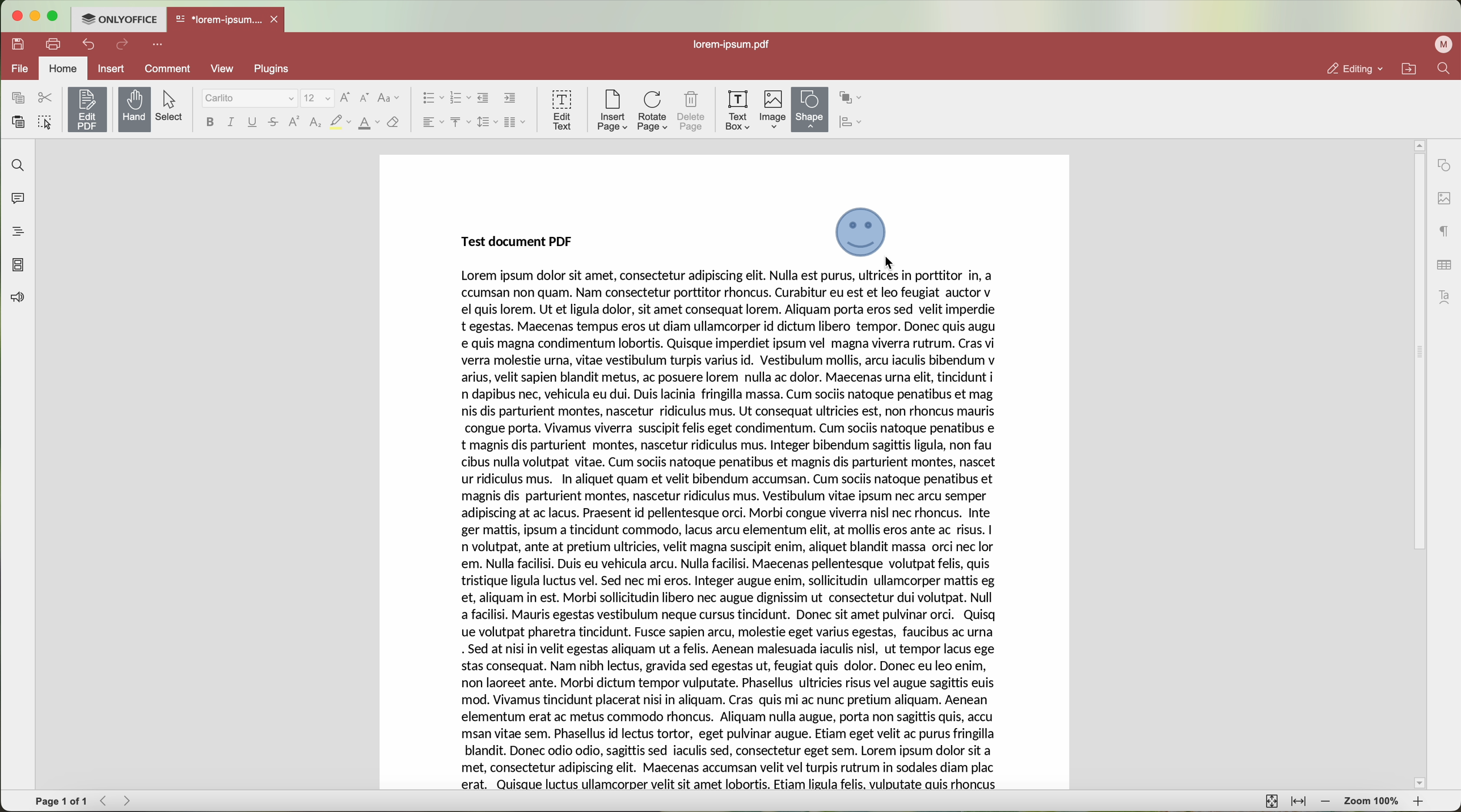 This screenshot has height=812, width=1461. Describe the element at coordinates (45, 98) in the screenshot. I see `cut` at that location.